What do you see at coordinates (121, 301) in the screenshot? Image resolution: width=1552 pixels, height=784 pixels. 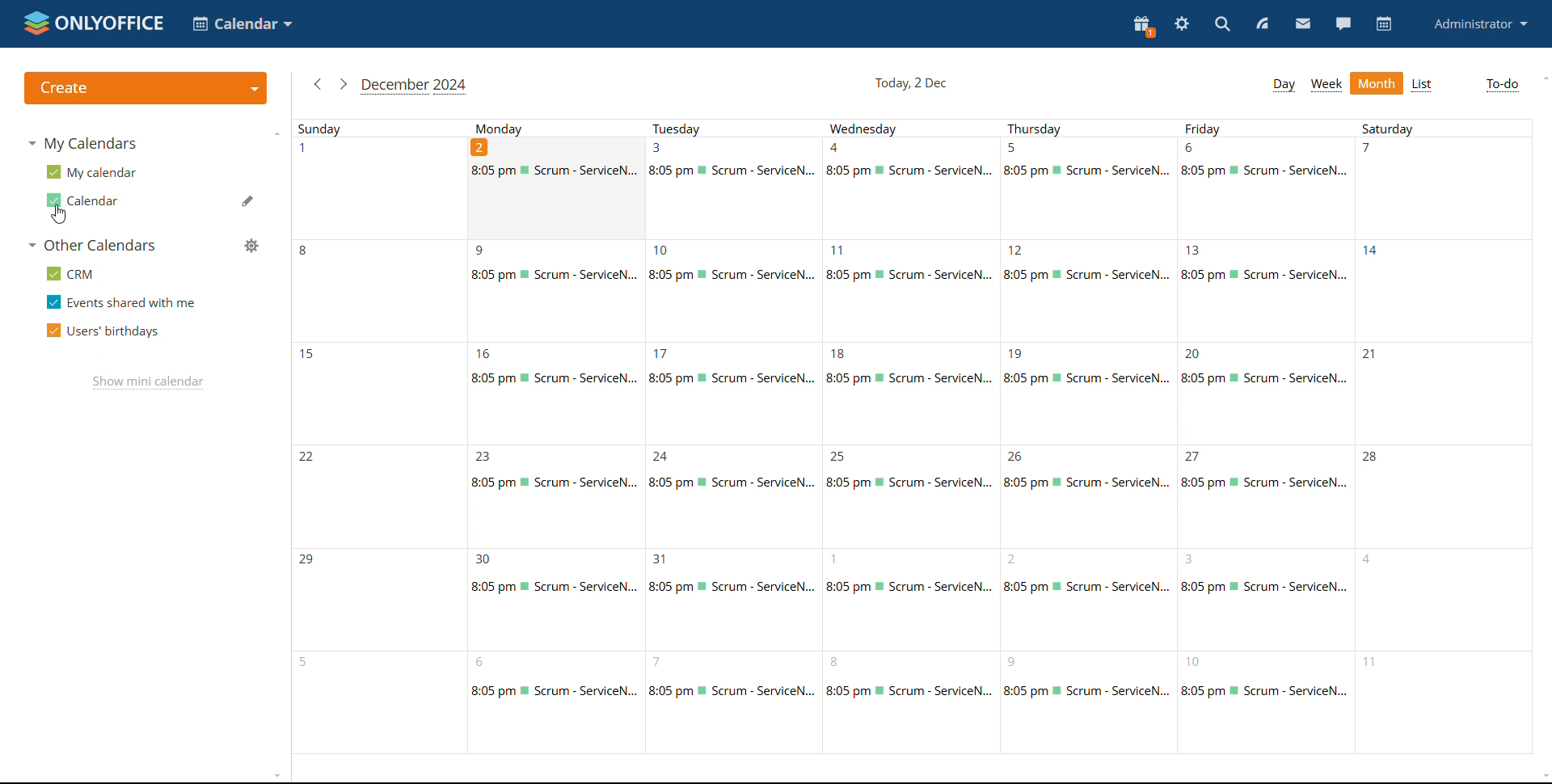 I see `events shared with me` at bounding box center [121, 301].